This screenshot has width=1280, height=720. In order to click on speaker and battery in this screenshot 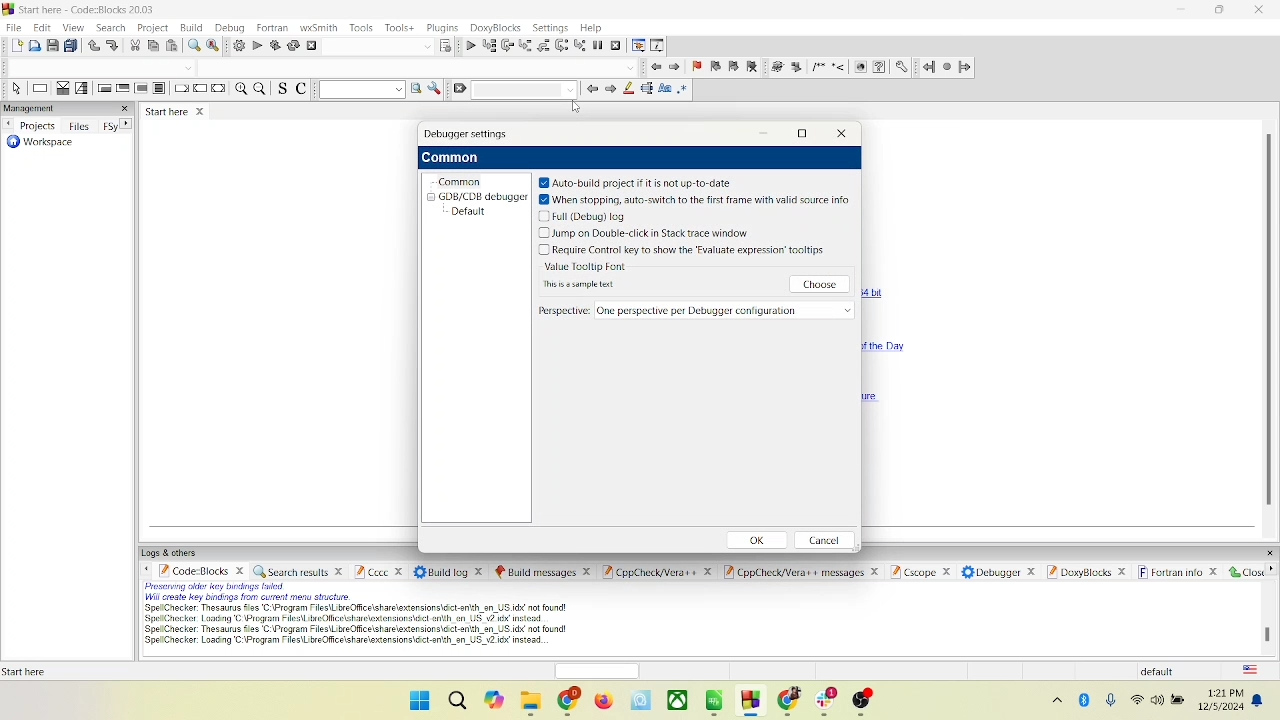, I will do `click(1172, 700)`.